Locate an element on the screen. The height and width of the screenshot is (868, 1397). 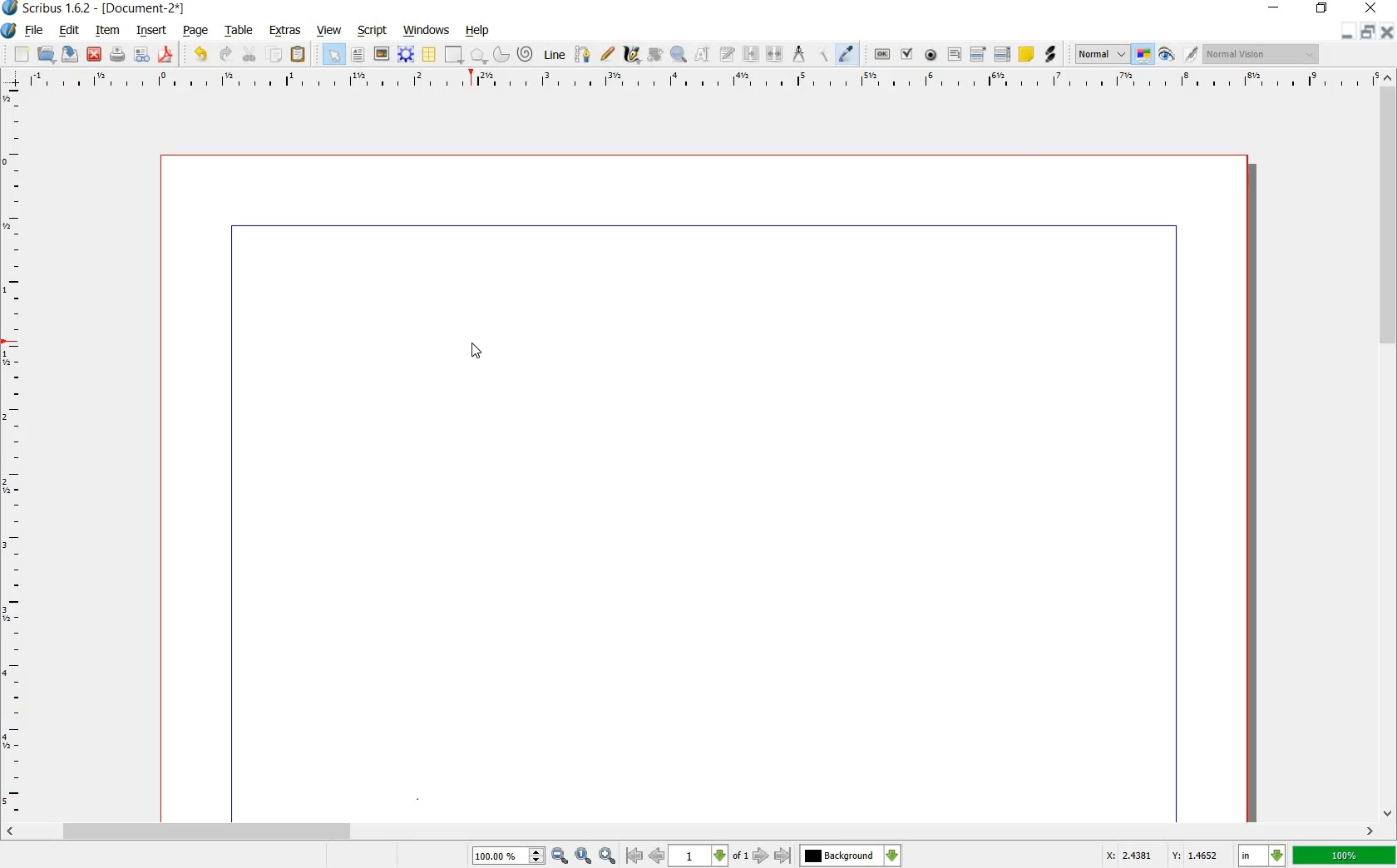
100% is located at coordinates (1344, 856).